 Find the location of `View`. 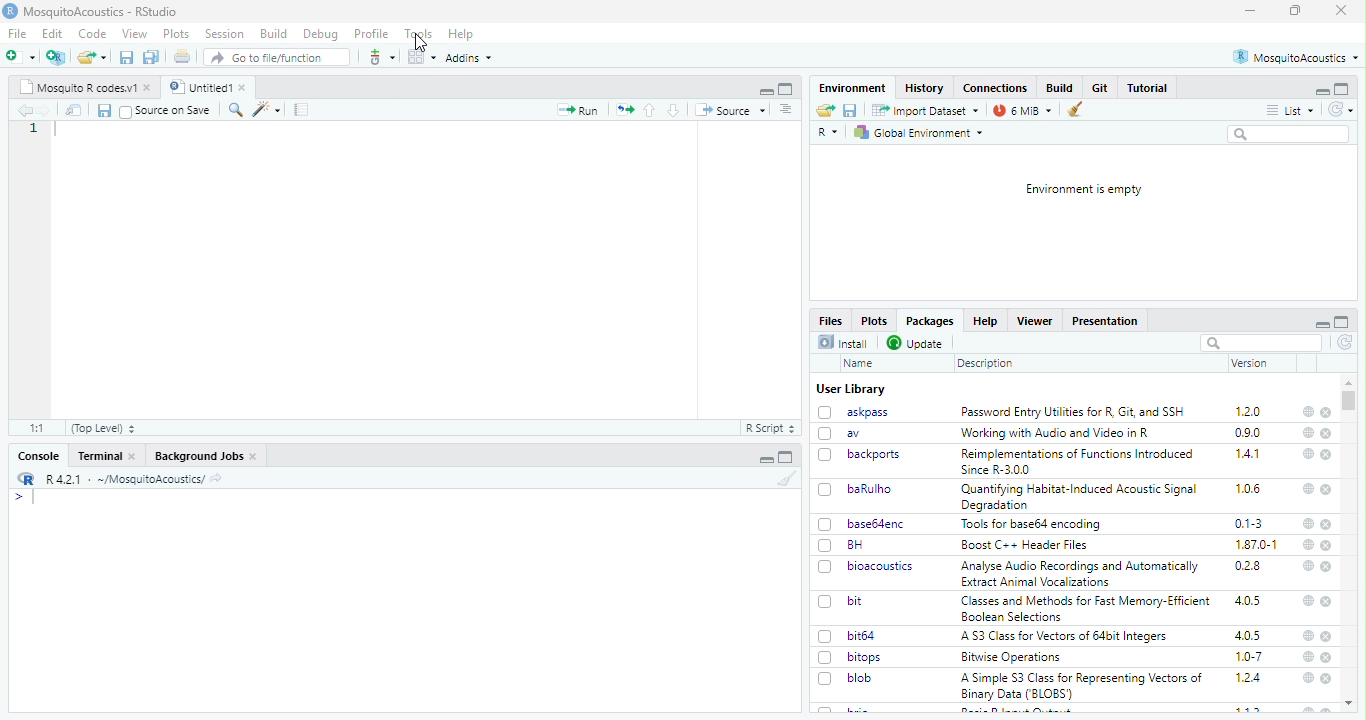

View is located at coordinates (136, 34).